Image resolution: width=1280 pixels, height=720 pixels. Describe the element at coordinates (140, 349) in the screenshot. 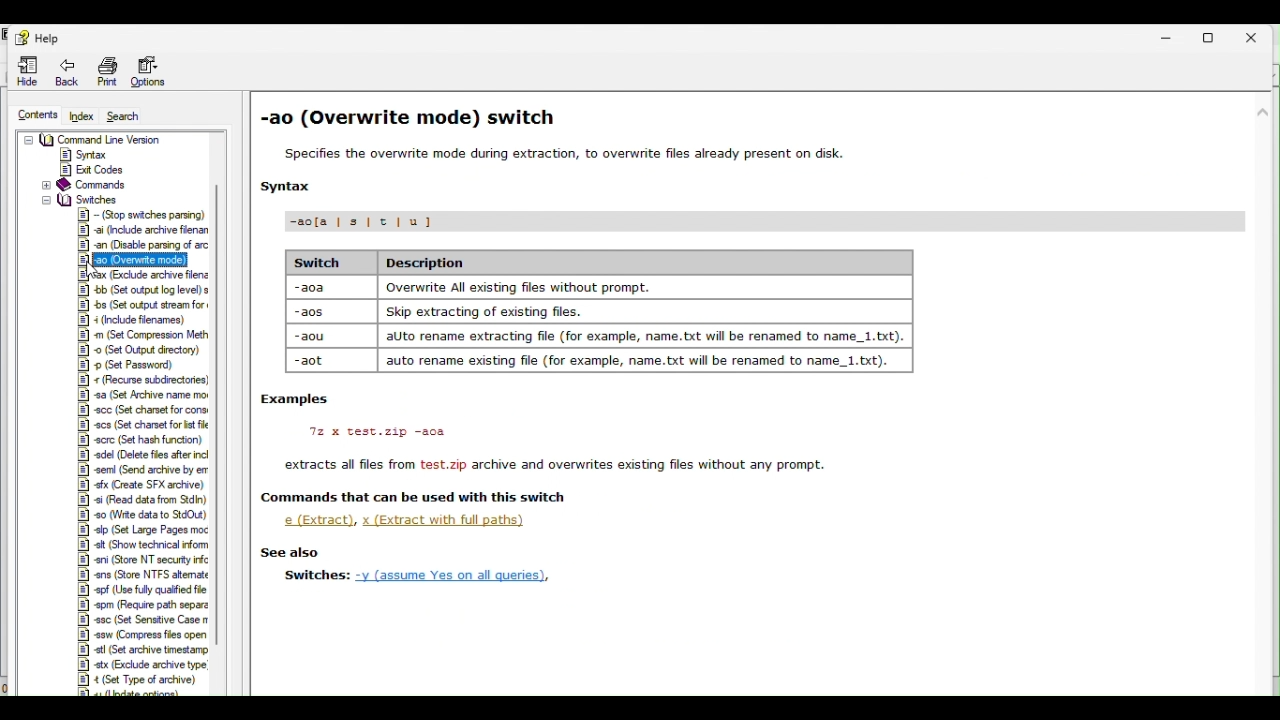

I see `8] © (Set Output directory)` at that location.